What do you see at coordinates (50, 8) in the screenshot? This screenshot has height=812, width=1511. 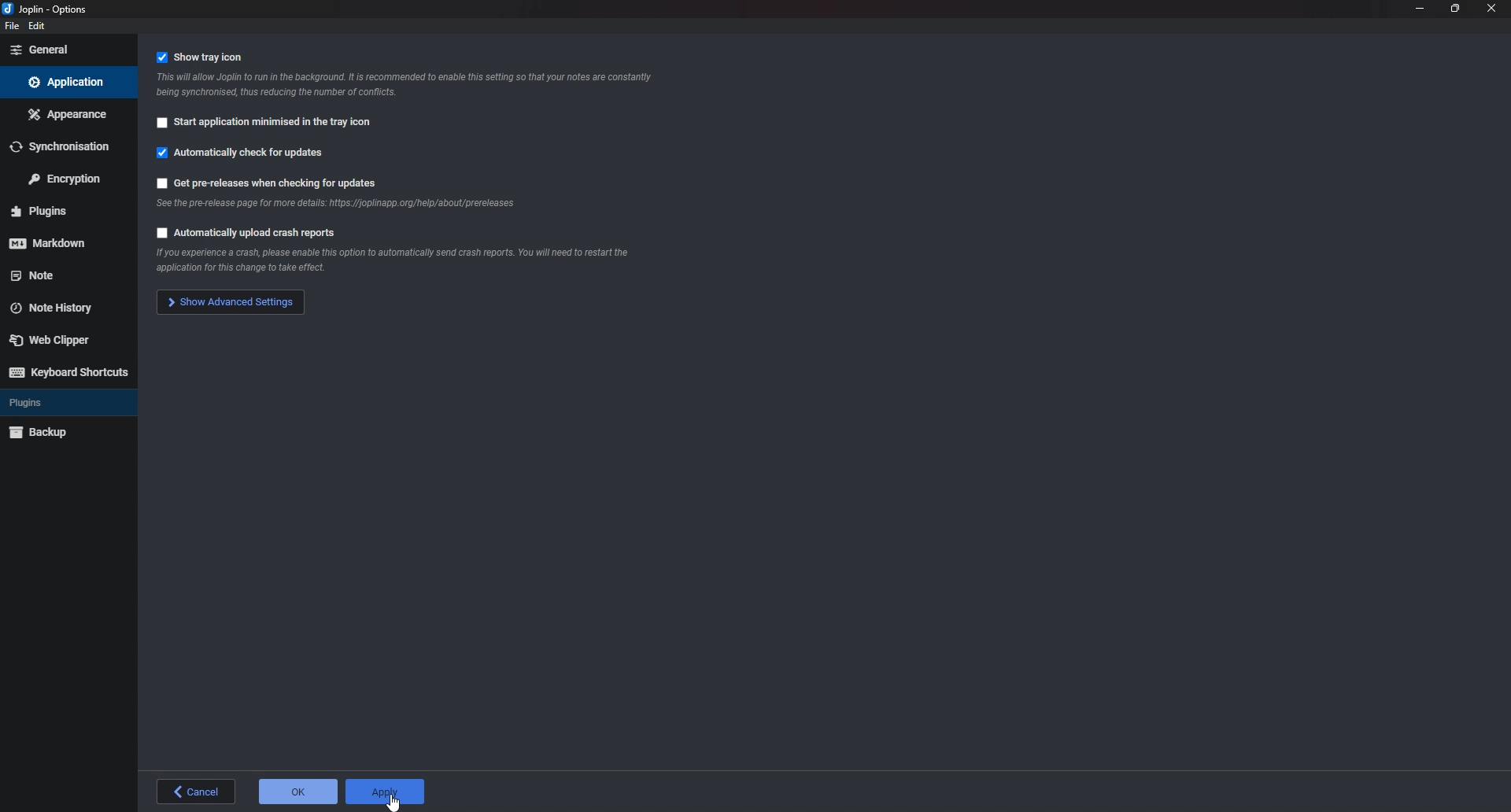 I see `joplin` at bounding box center [50, 8].